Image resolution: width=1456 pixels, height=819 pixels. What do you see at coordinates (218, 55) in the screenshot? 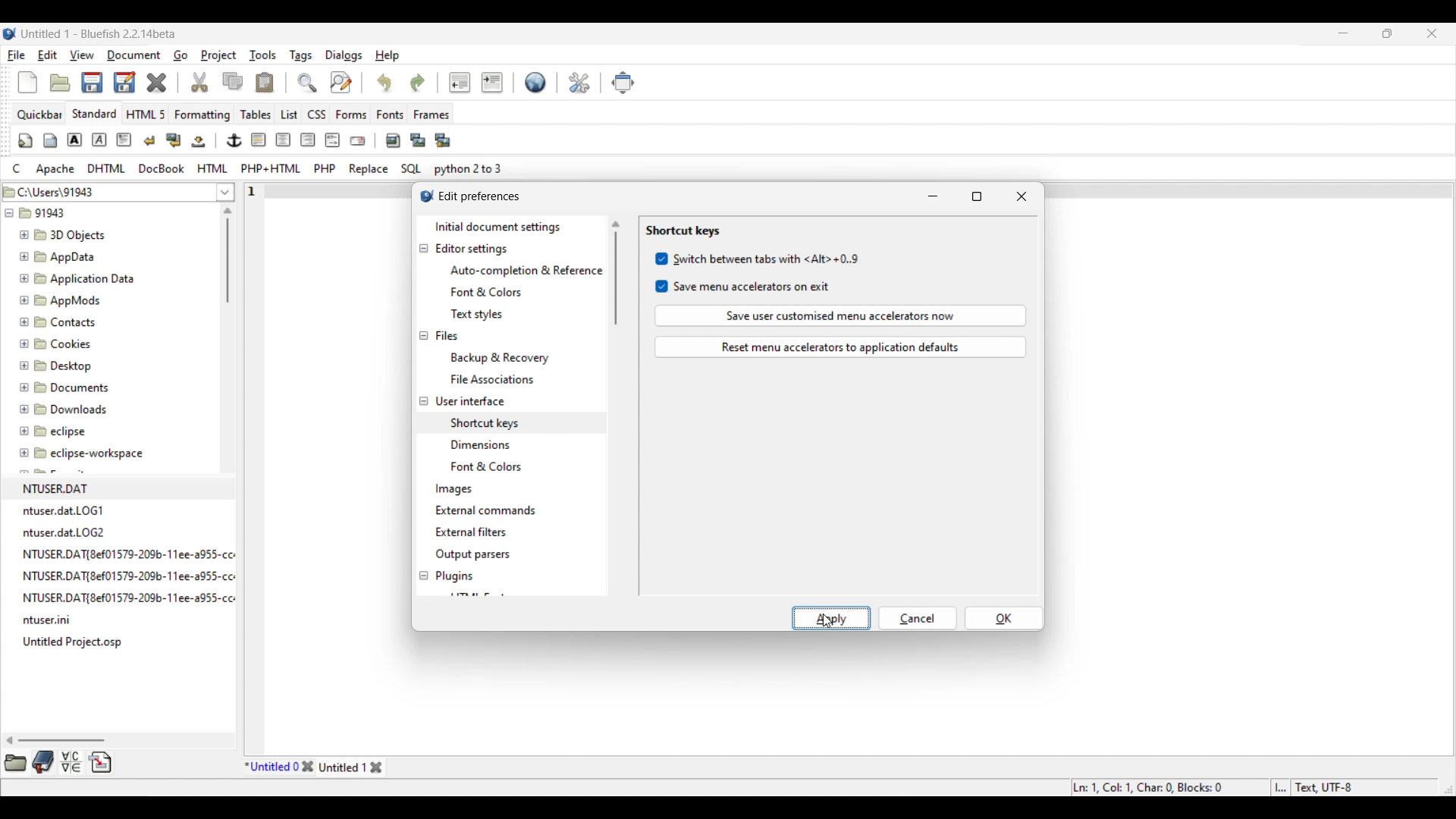
I see `Project menu` at bounding box center [218, 55].